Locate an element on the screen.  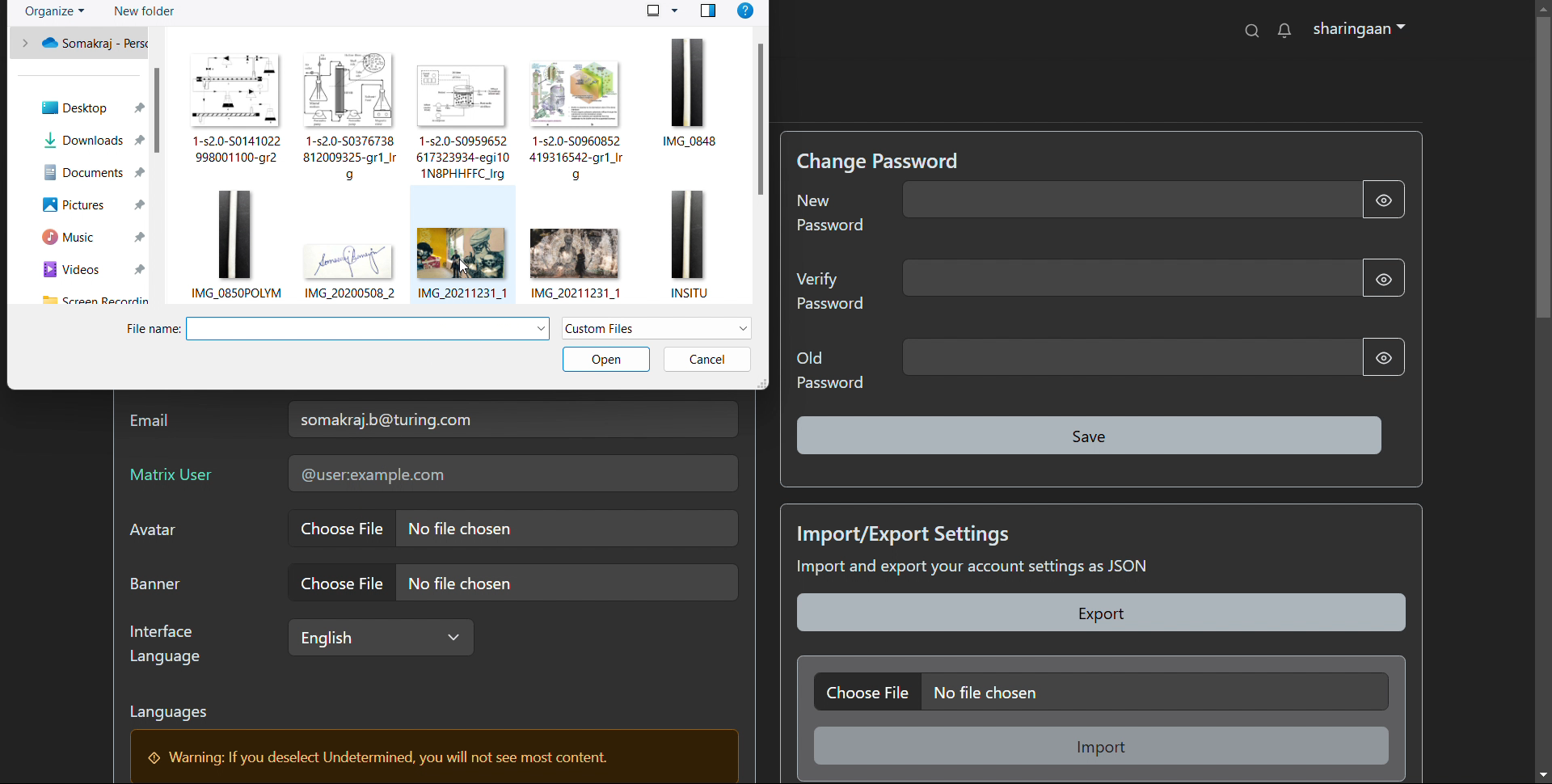
help is located at coordinates (745, 11).